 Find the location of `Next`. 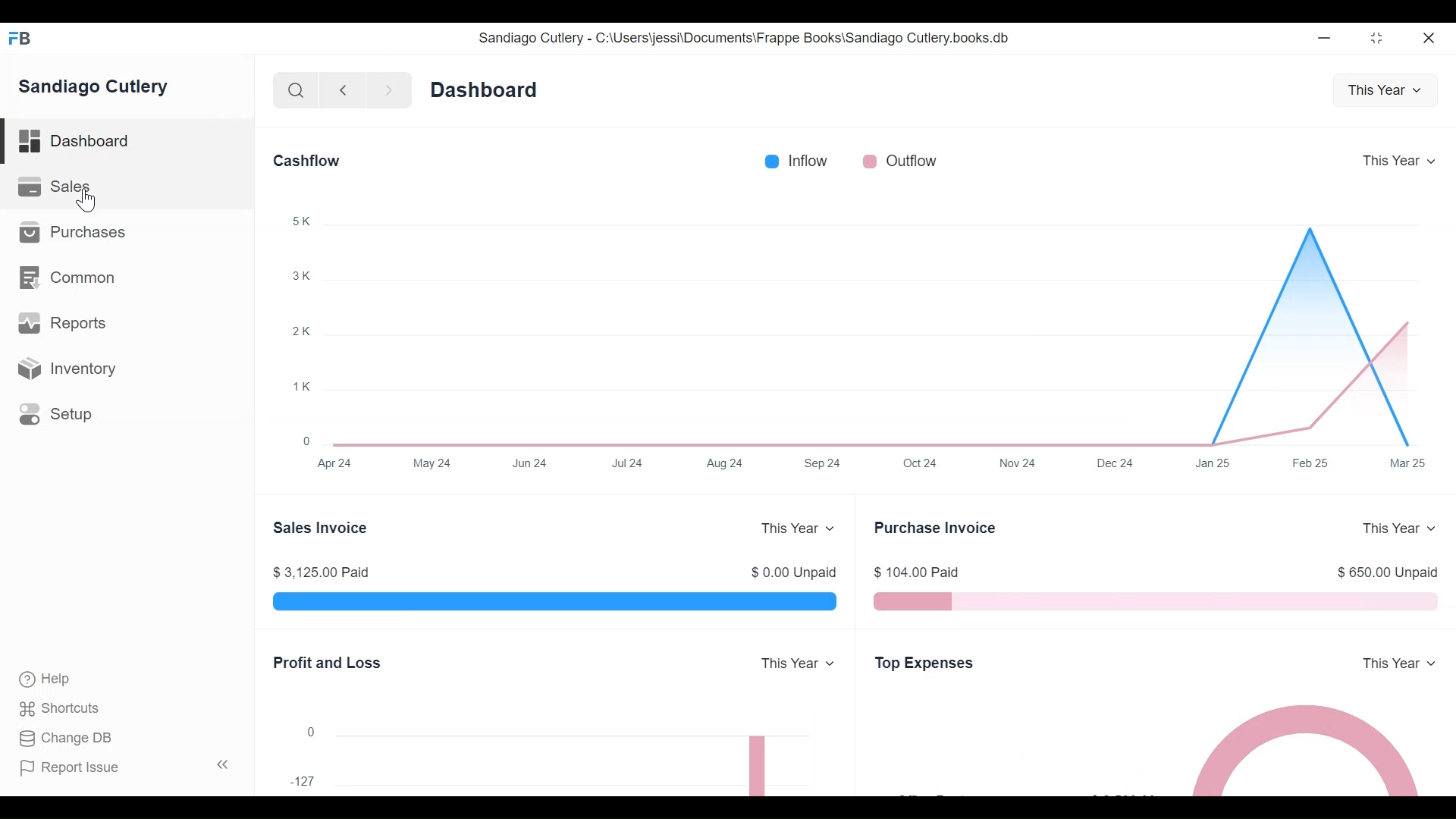

Next is located at coordinates (391, 90).